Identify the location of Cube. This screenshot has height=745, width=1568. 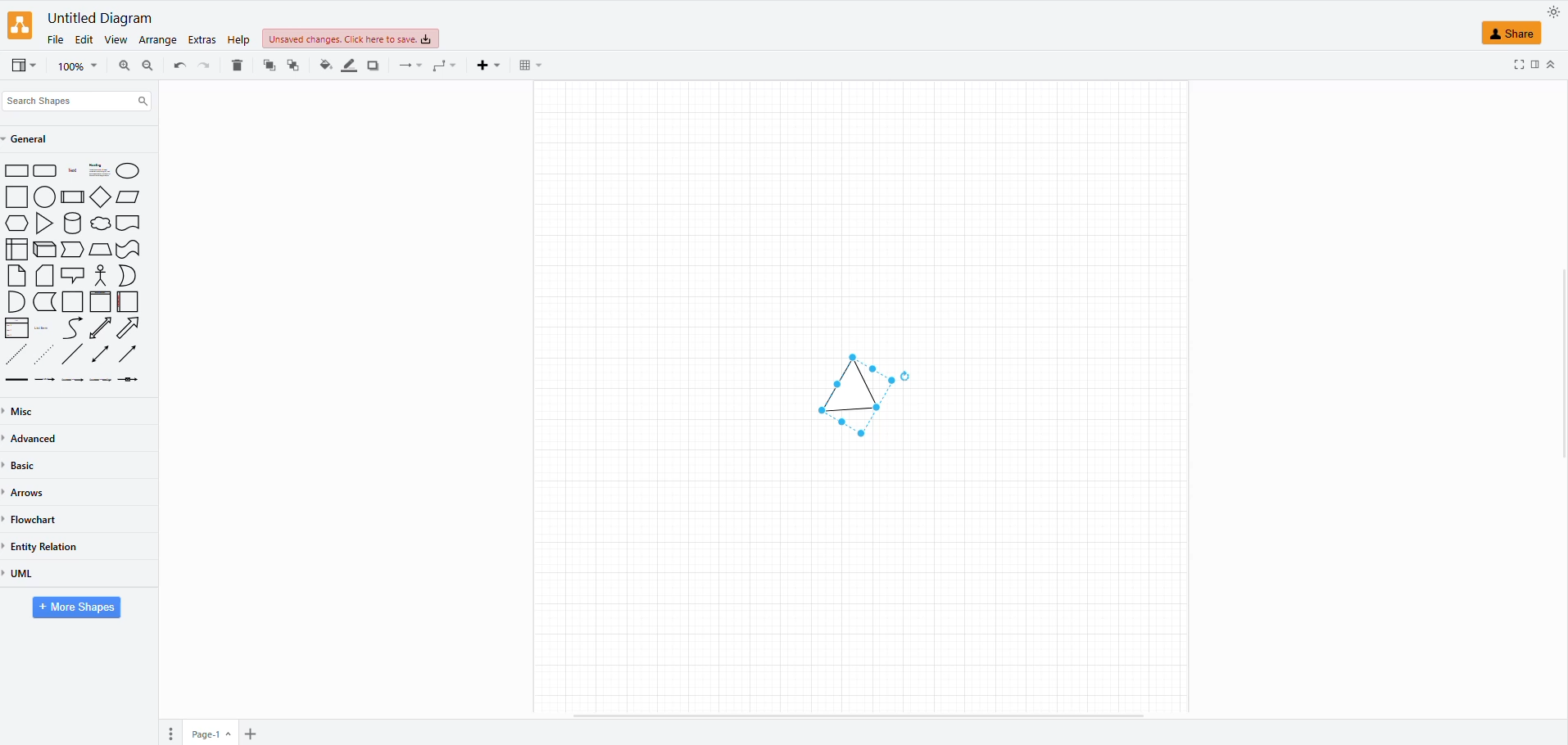
(46, 250).